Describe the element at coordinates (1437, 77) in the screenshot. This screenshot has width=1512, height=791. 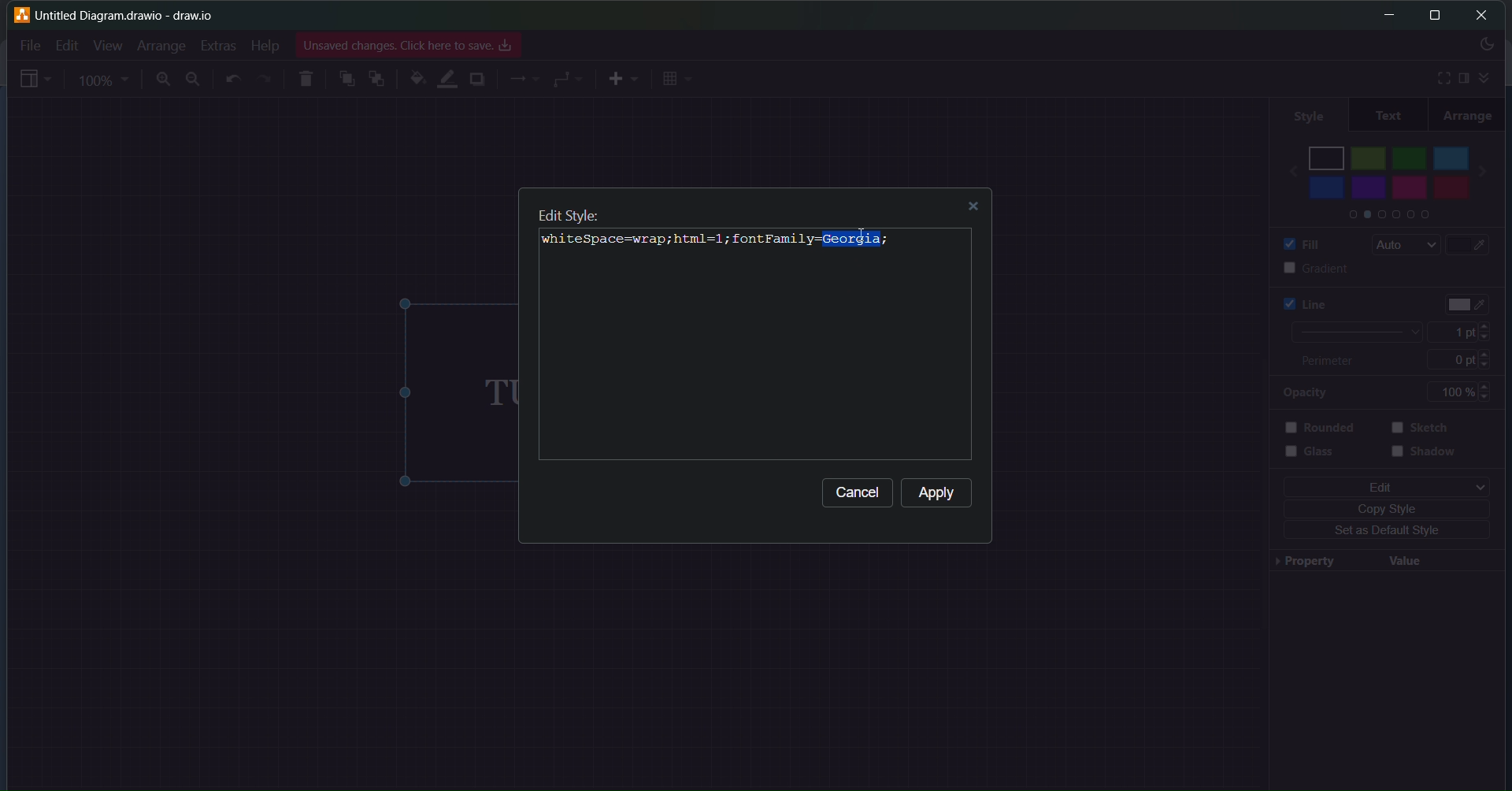
I see `fullscreen` at that location.